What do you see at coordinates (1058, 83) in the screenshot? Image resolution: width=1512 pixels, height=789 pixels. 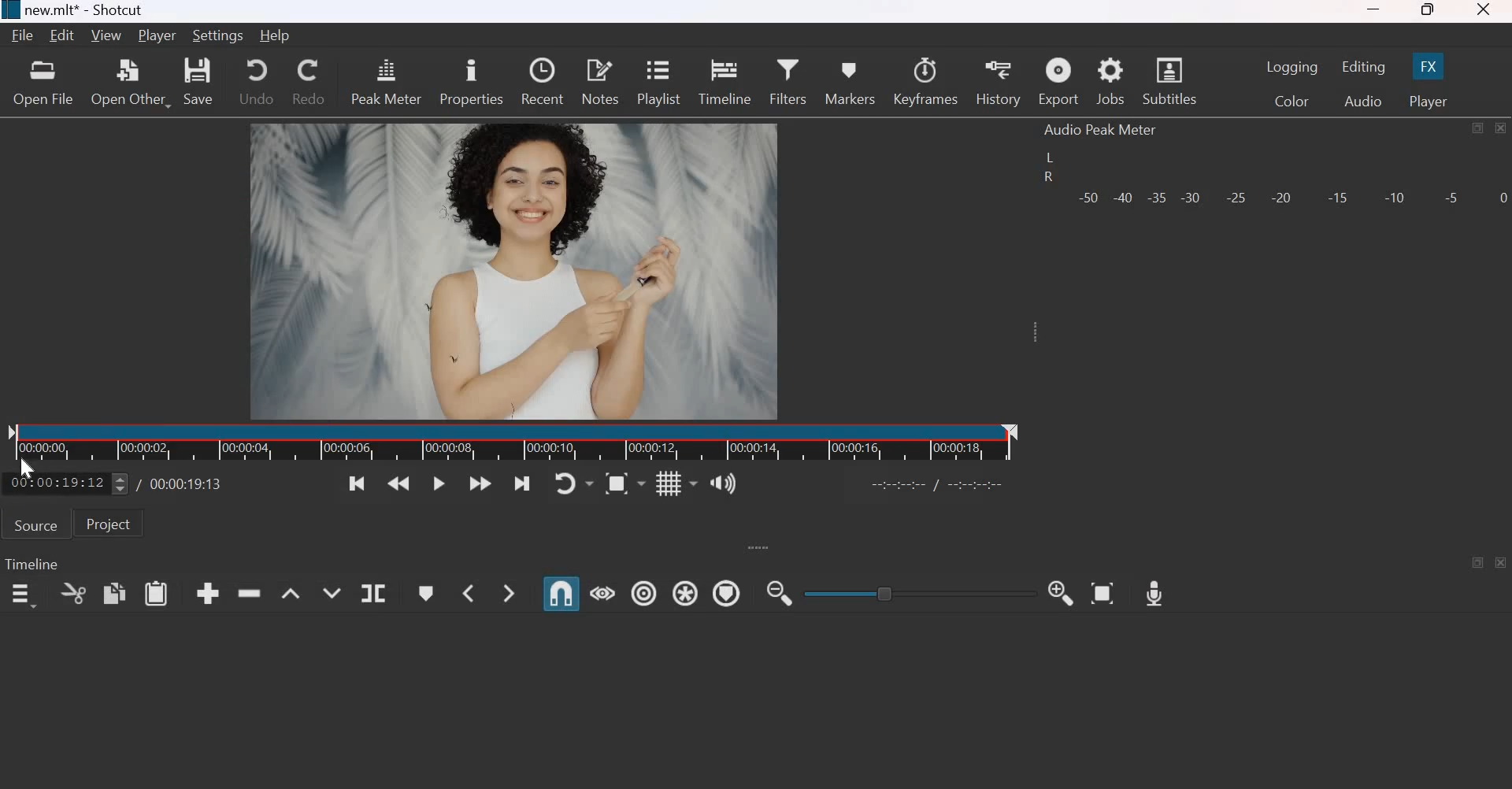 I see `Export` at bounding box center [1058, 83].